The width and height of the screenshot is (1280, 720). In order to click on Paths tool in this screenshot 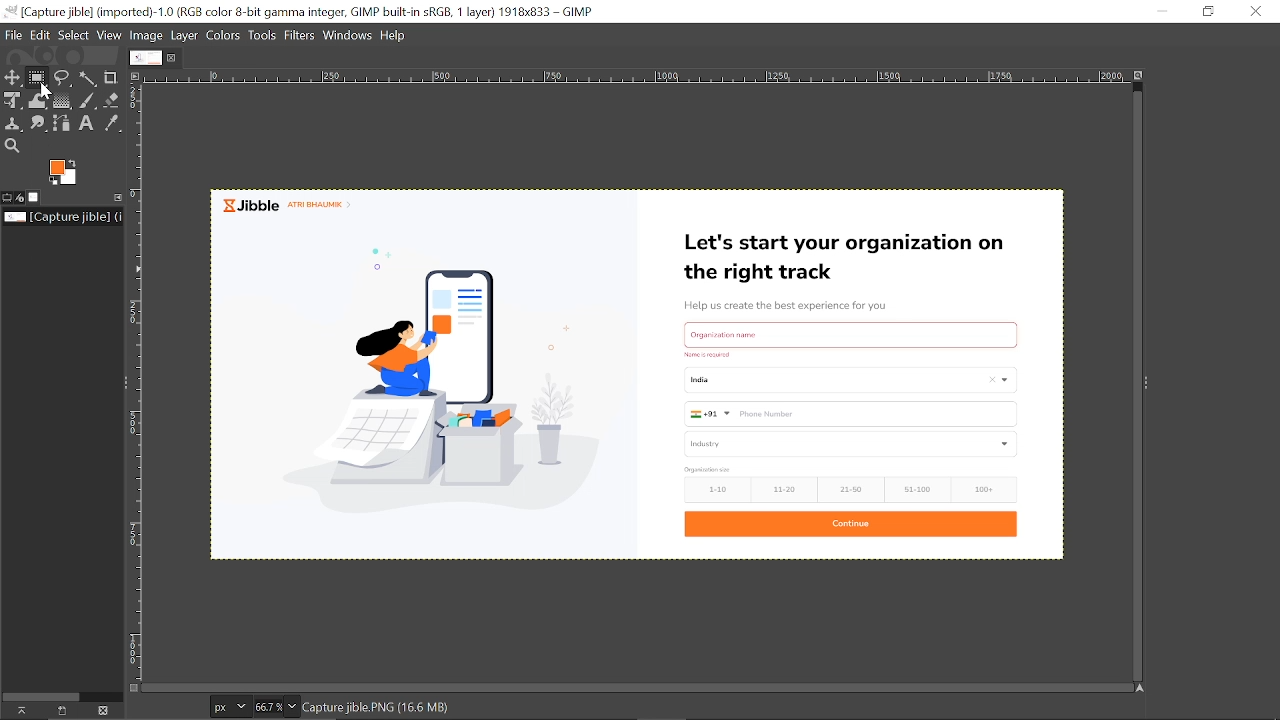, I will do `click(64, 122)`.